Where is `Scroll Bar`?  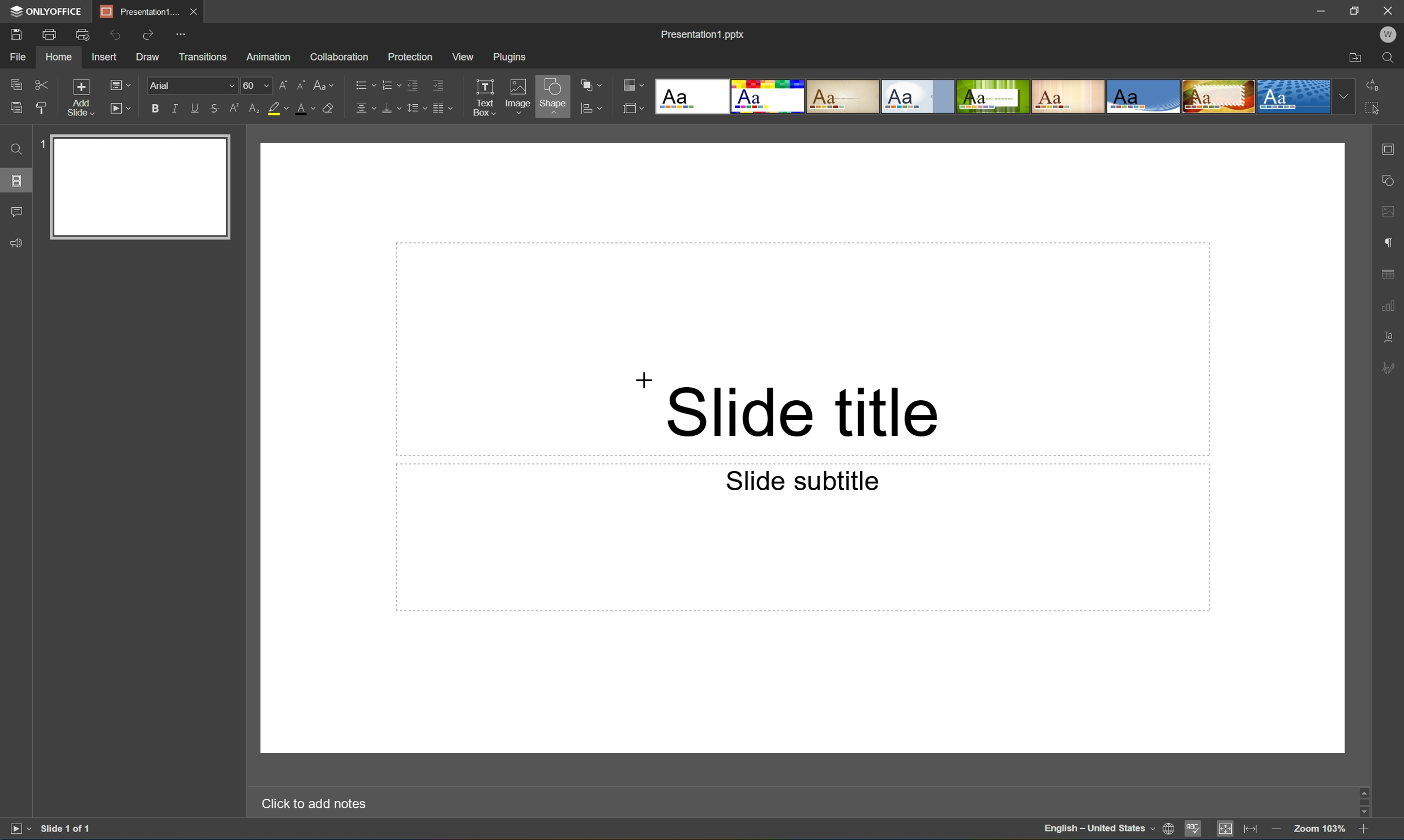 Scroll Bar is located at coordinates (1360, 803).